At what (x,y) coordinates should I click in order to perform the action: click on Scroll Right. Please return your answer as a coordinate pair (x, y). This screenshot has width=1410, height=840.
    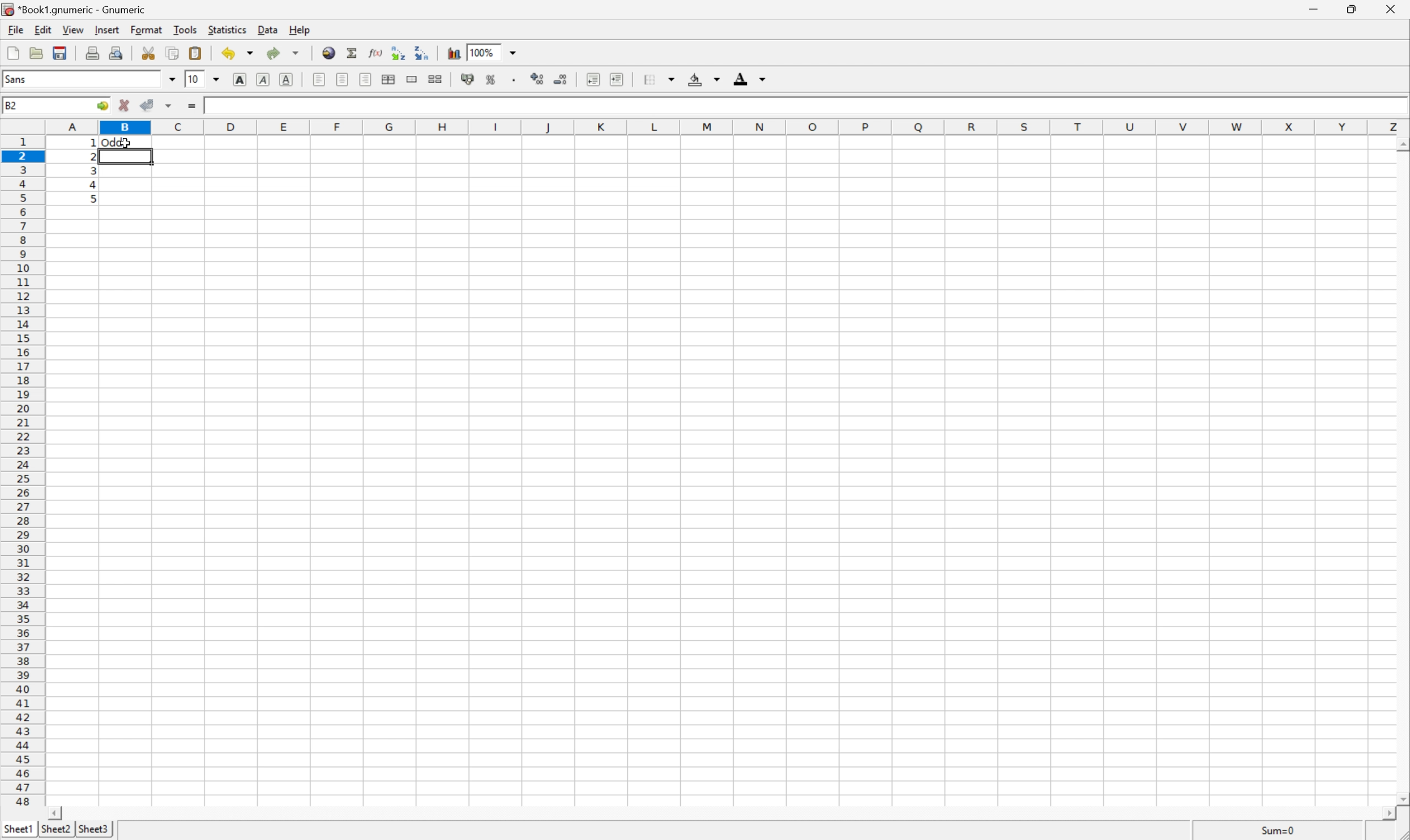
    Looking at the image, I should click on (1381, 813).